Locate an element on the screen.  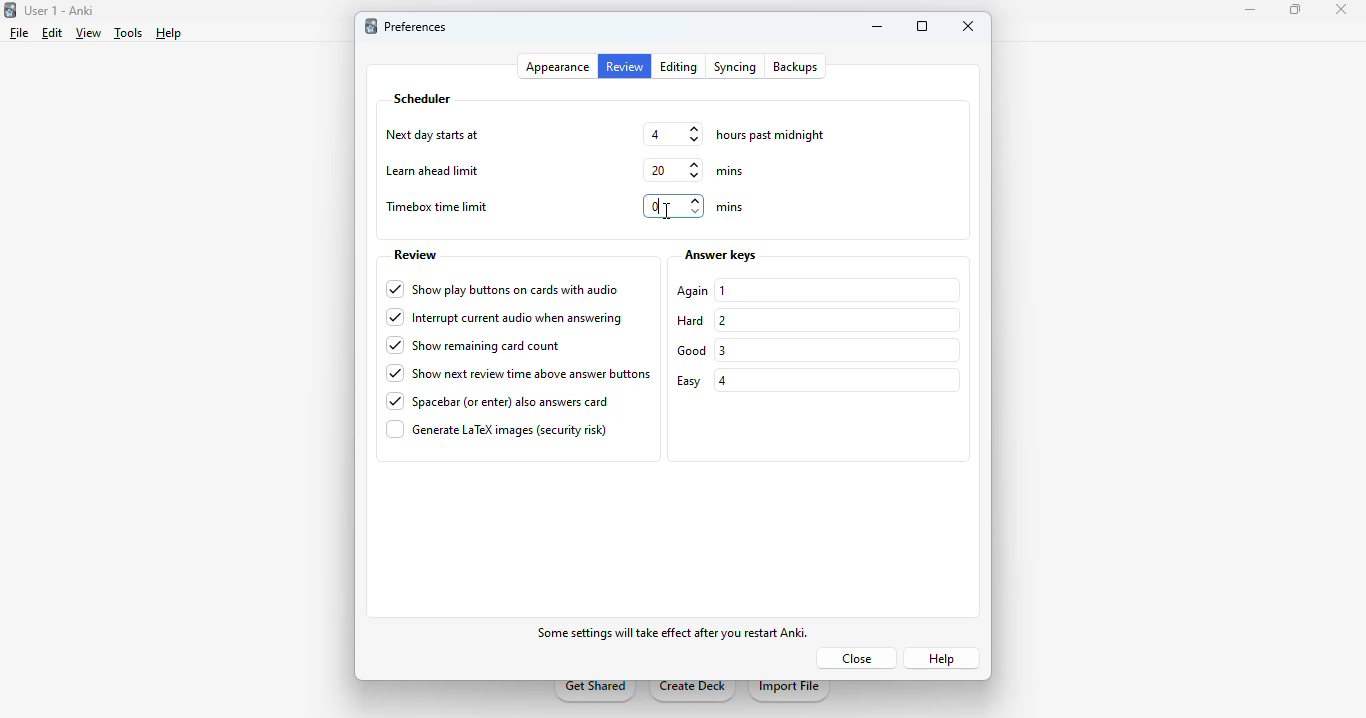
view is located at coordinates (88, 34).